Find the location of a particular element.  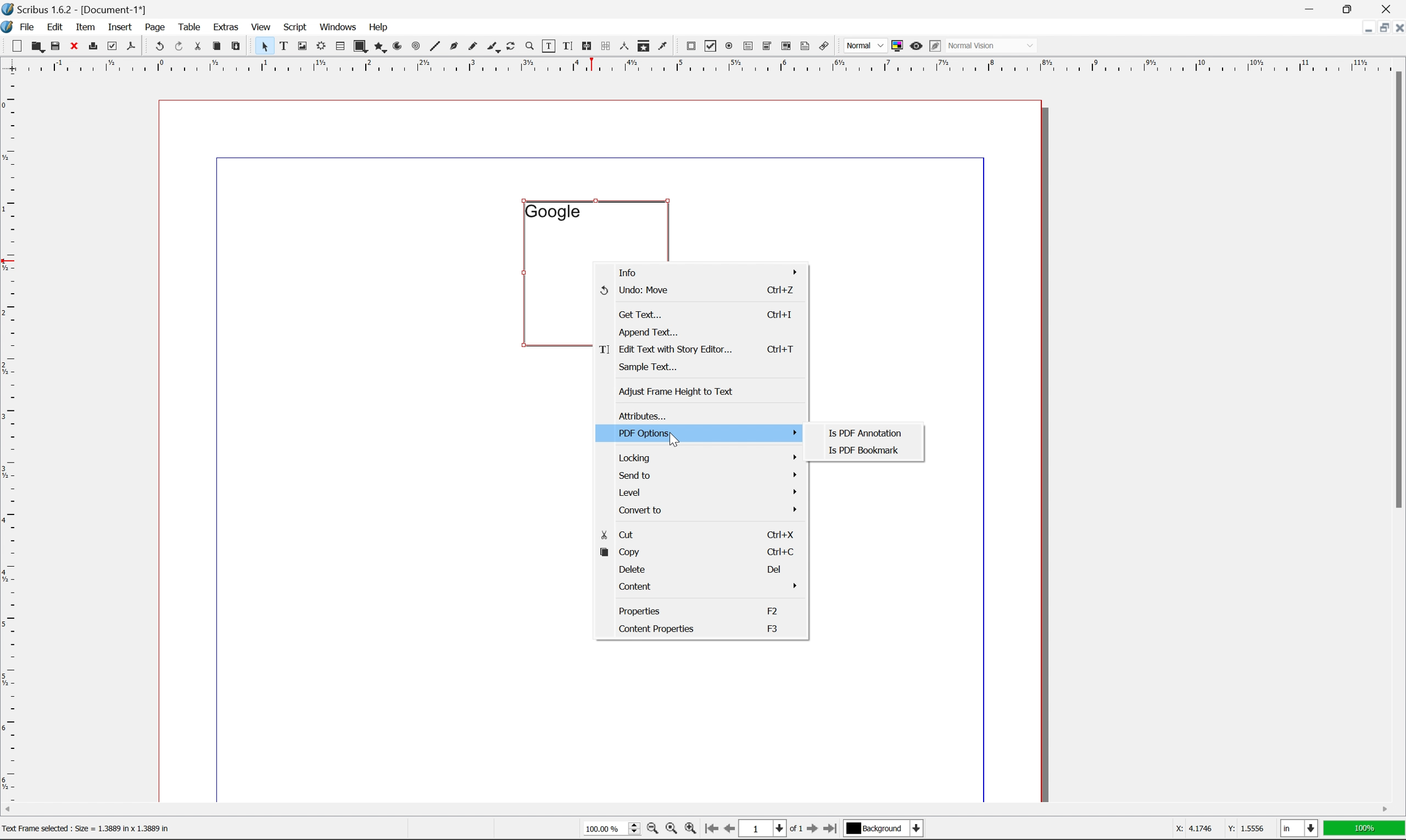

calligraphy line is located at coordinates (493, 45).